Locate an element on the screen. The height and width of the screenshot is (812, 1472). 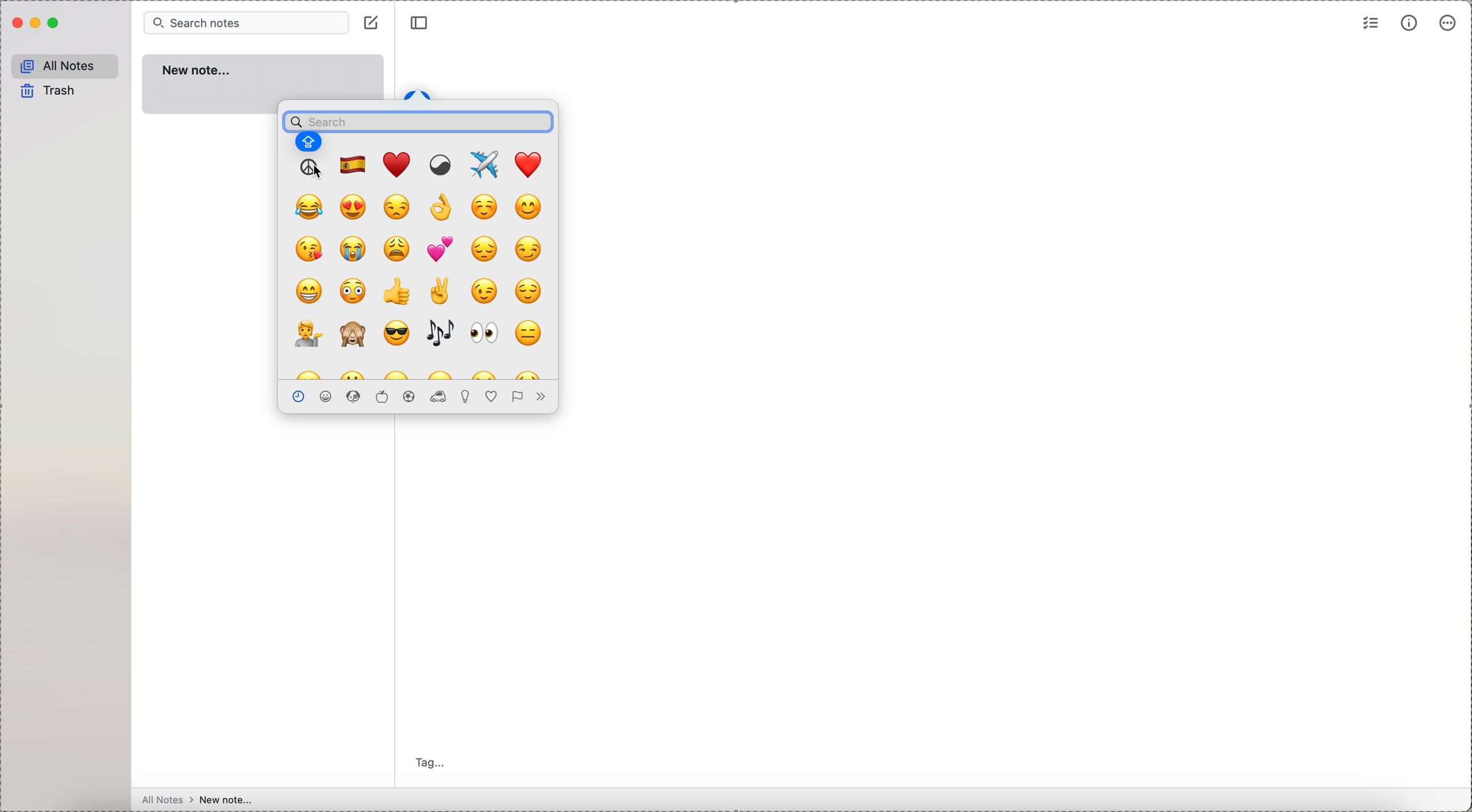
emoji is located at coordinates (483, 292).